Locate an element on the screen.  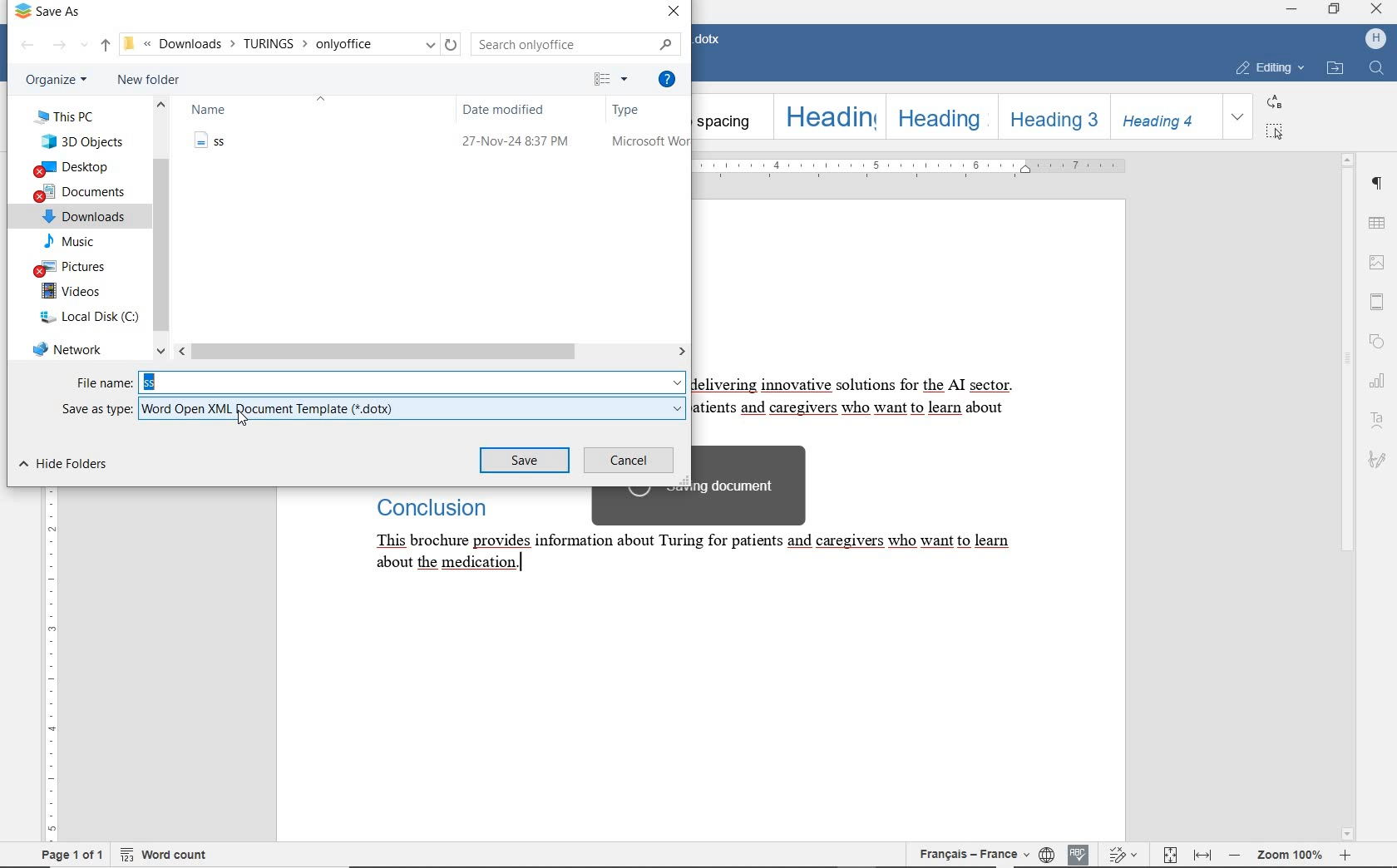
UP is located at coordinates (106, 46).